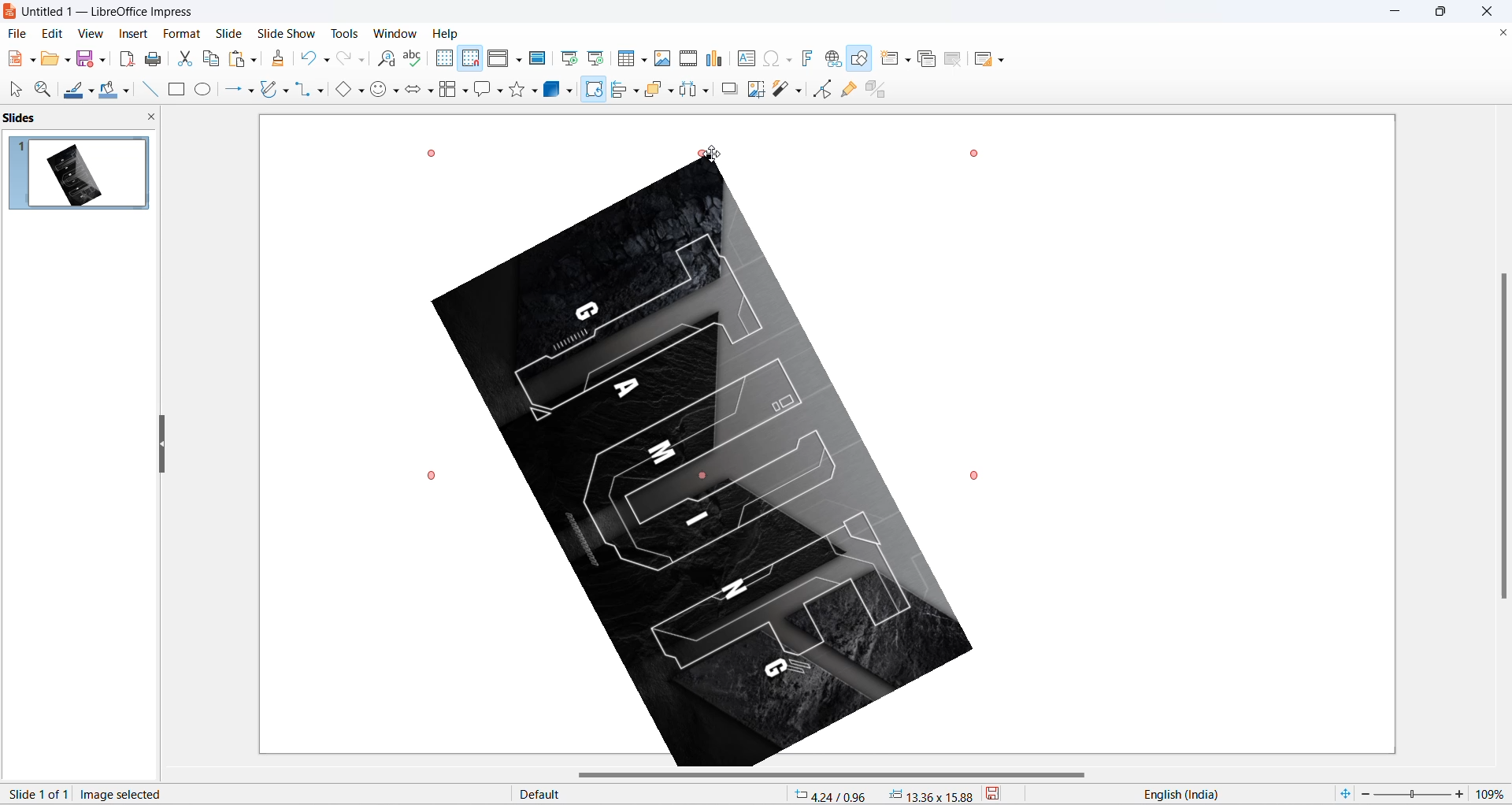  I want to click on tools, so click(350, 33).